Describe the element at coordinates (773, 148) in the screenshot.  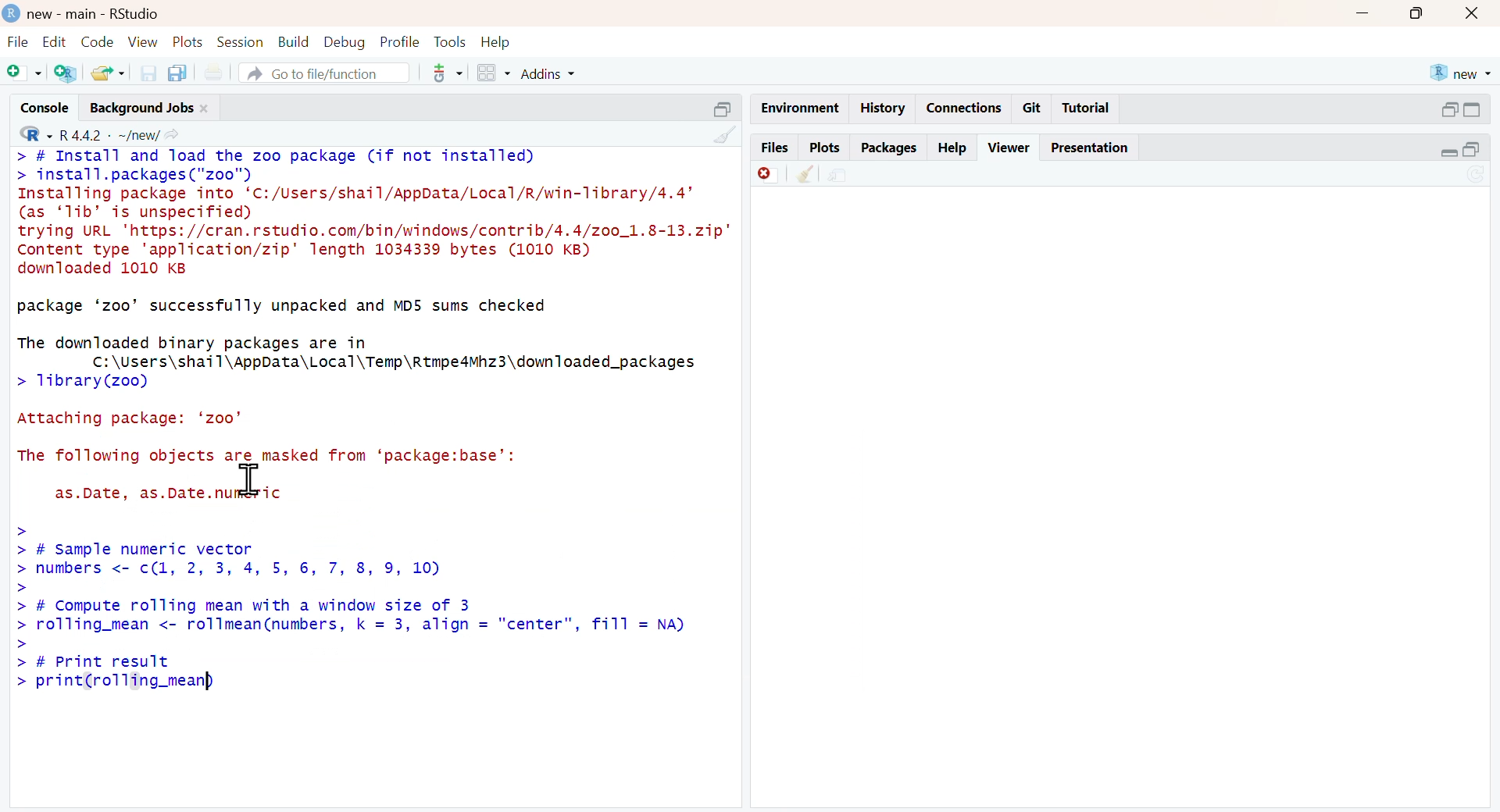
I see `files` at that location.